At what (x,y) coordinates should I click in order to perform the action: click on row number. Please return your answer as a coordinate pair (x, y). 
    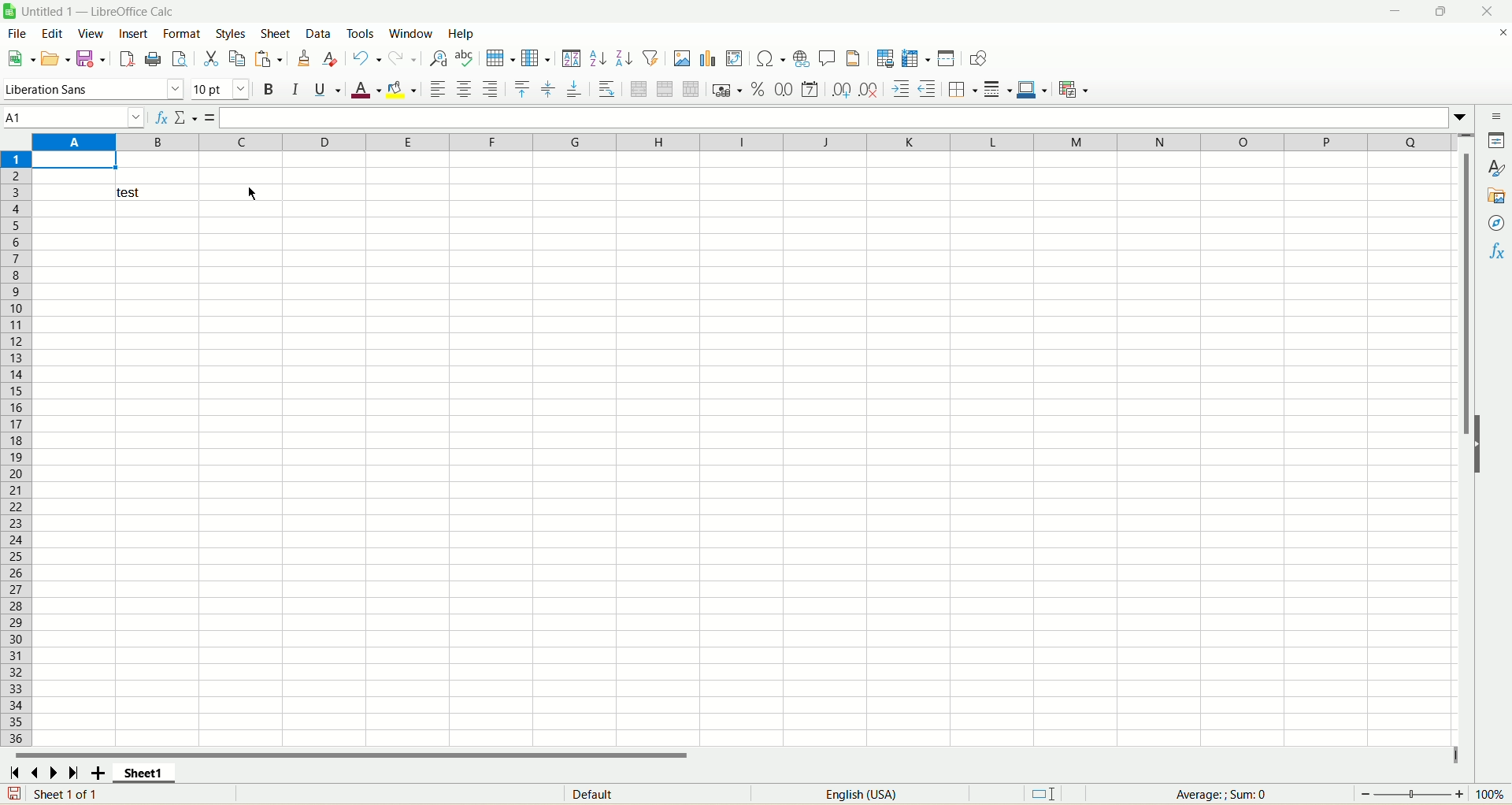
    Looking at the image, I should click on (16, 447).